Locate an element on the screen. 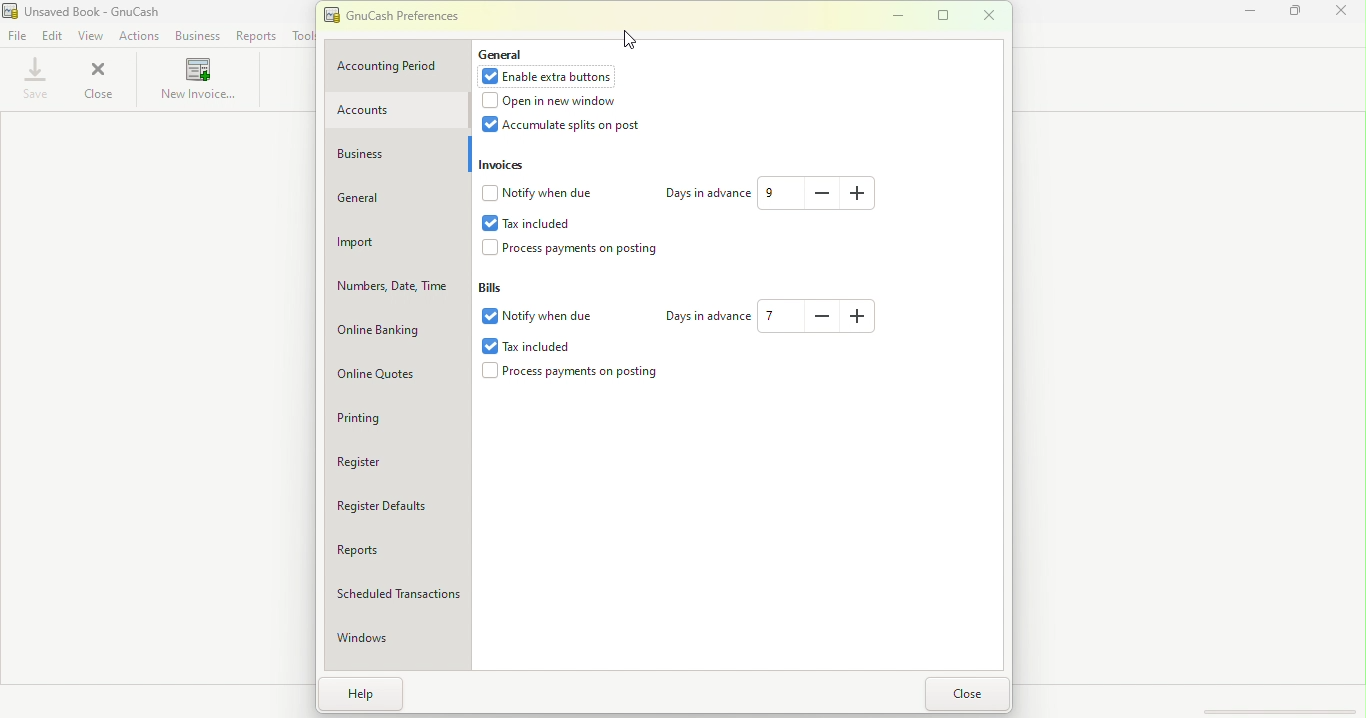 Image resolution: width=1366 pixels, height=718 pixels. Minimize is located at coordinates (1248, 16).